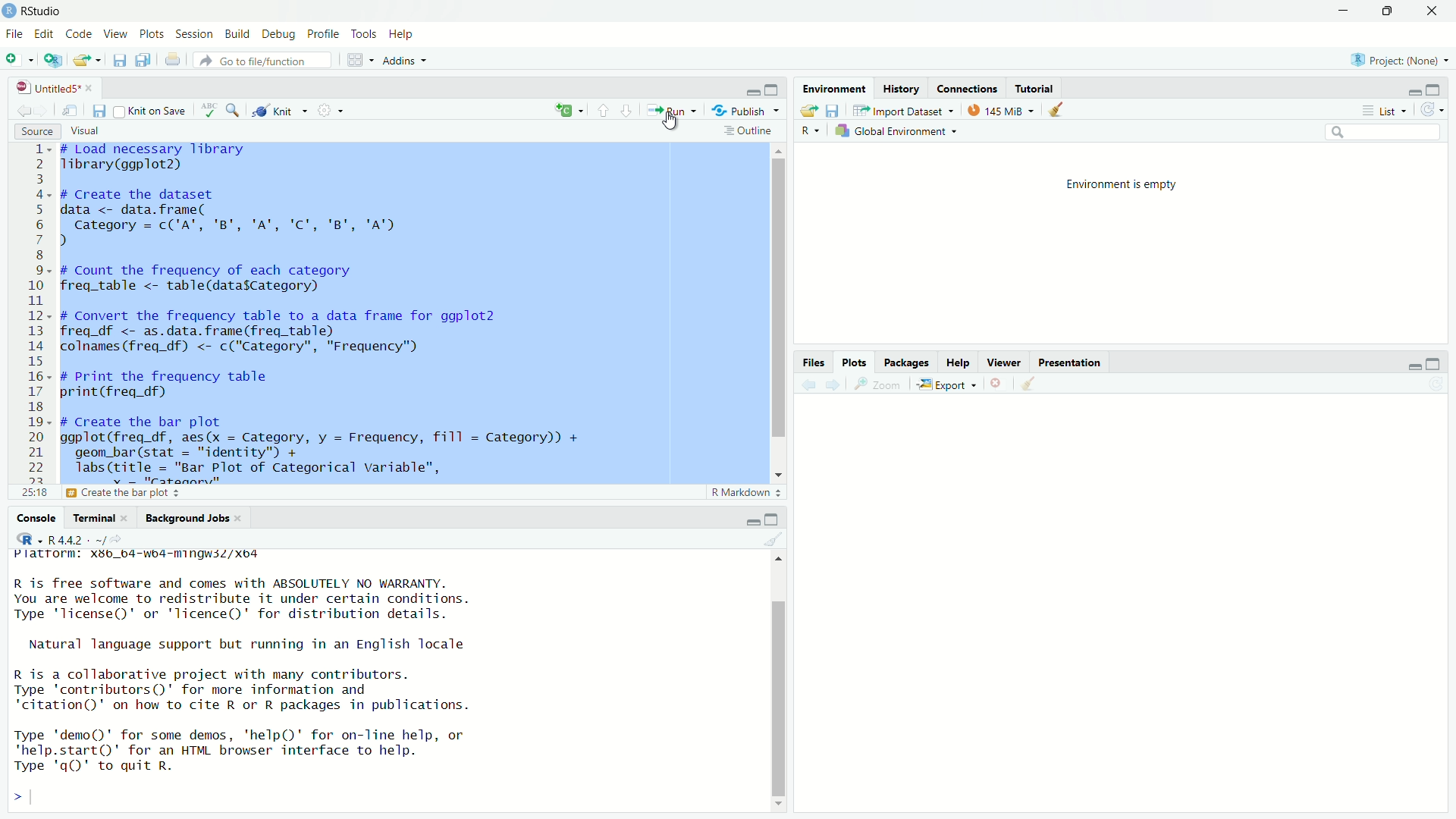 The height and width of the screenshot is (819, 1456). What do you see at coordinates (629, 113) in the screenshot?
I see `next section` at bounding box center [629, 113].